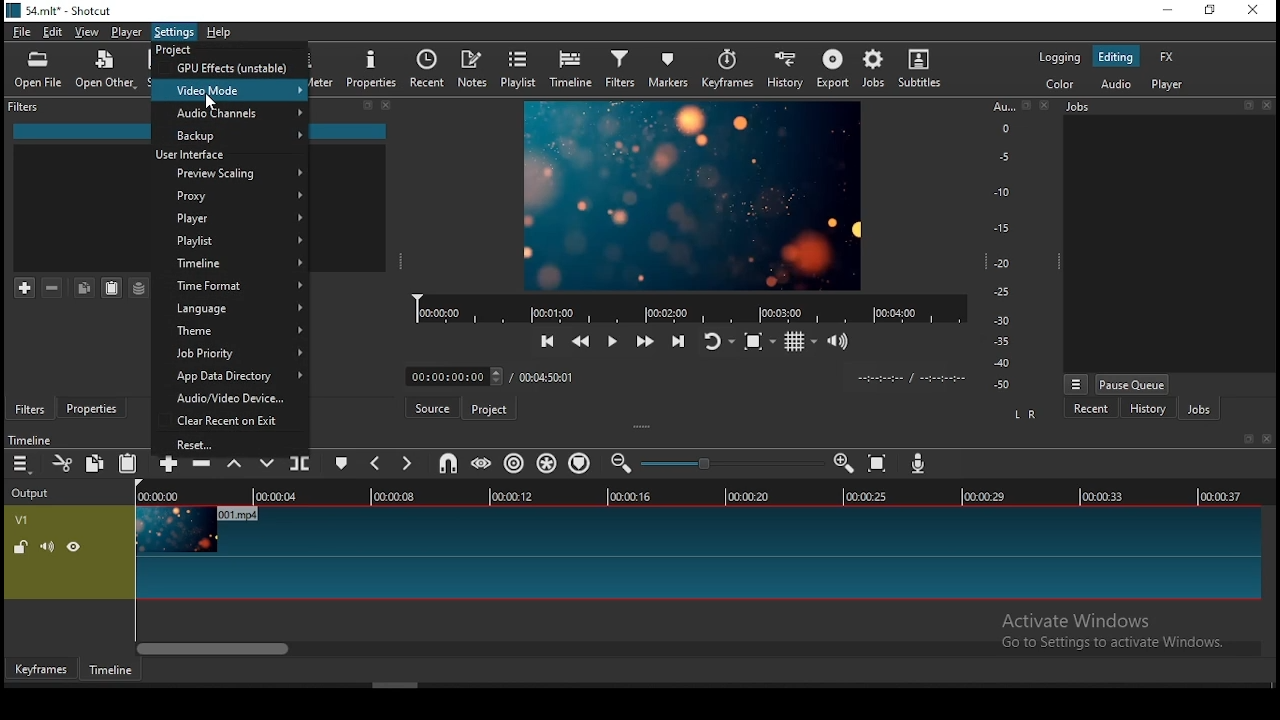 The height and width of the screenshot is (720, 1280). Describe the element at coordinates (137, 285) in the screenshot. I see `save filter set` at that location.